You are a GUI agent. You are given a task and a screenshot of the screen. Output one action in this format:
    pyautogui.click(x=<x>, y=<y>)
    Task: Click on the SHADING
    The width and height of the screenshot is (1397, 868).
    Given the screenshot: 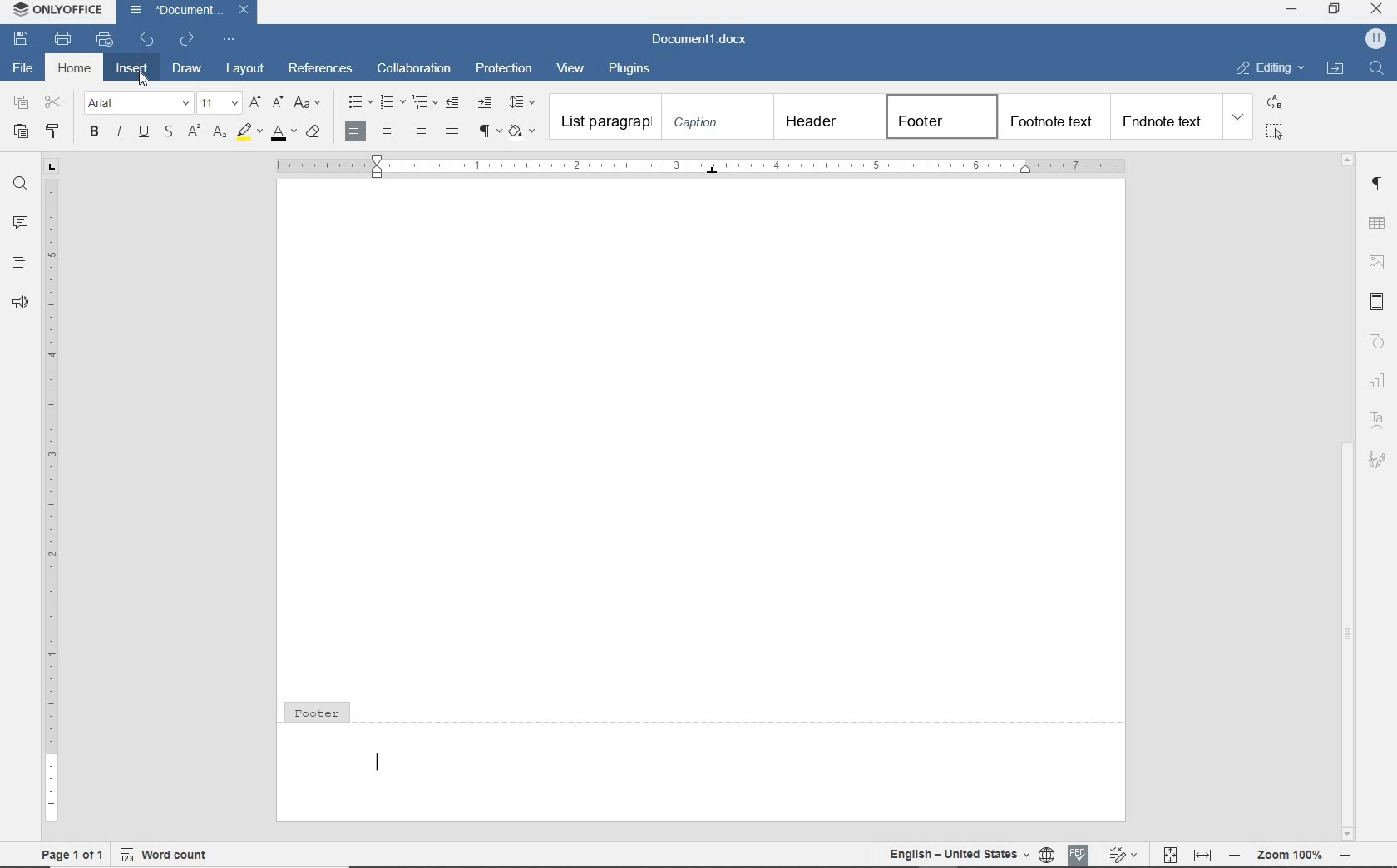 What is the action you would take?
    pyautogui.click(x=523, y=131)
    